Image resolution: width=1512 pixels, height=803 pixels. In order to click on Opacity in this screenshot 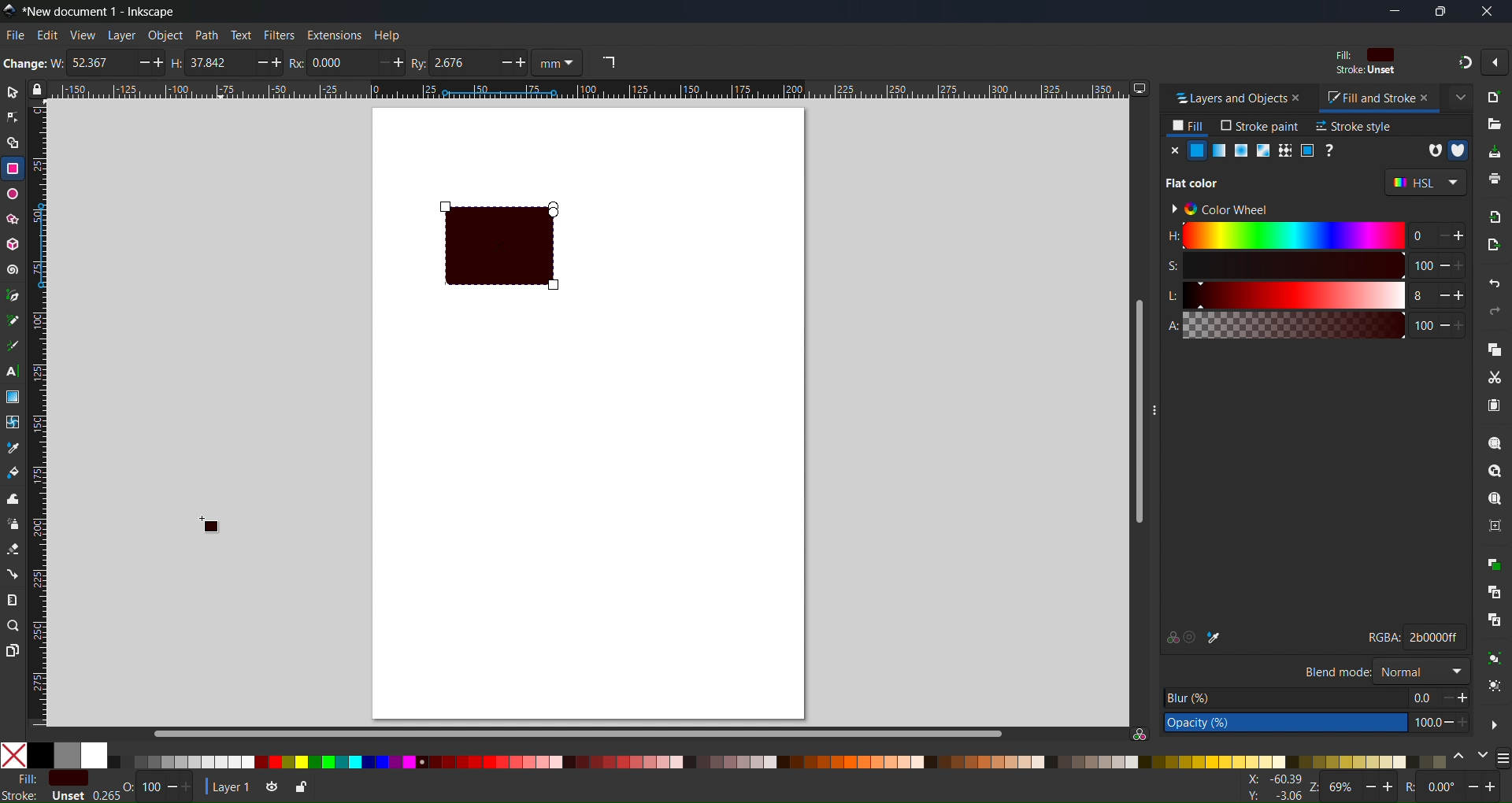, I will do `click(151, 787)`.